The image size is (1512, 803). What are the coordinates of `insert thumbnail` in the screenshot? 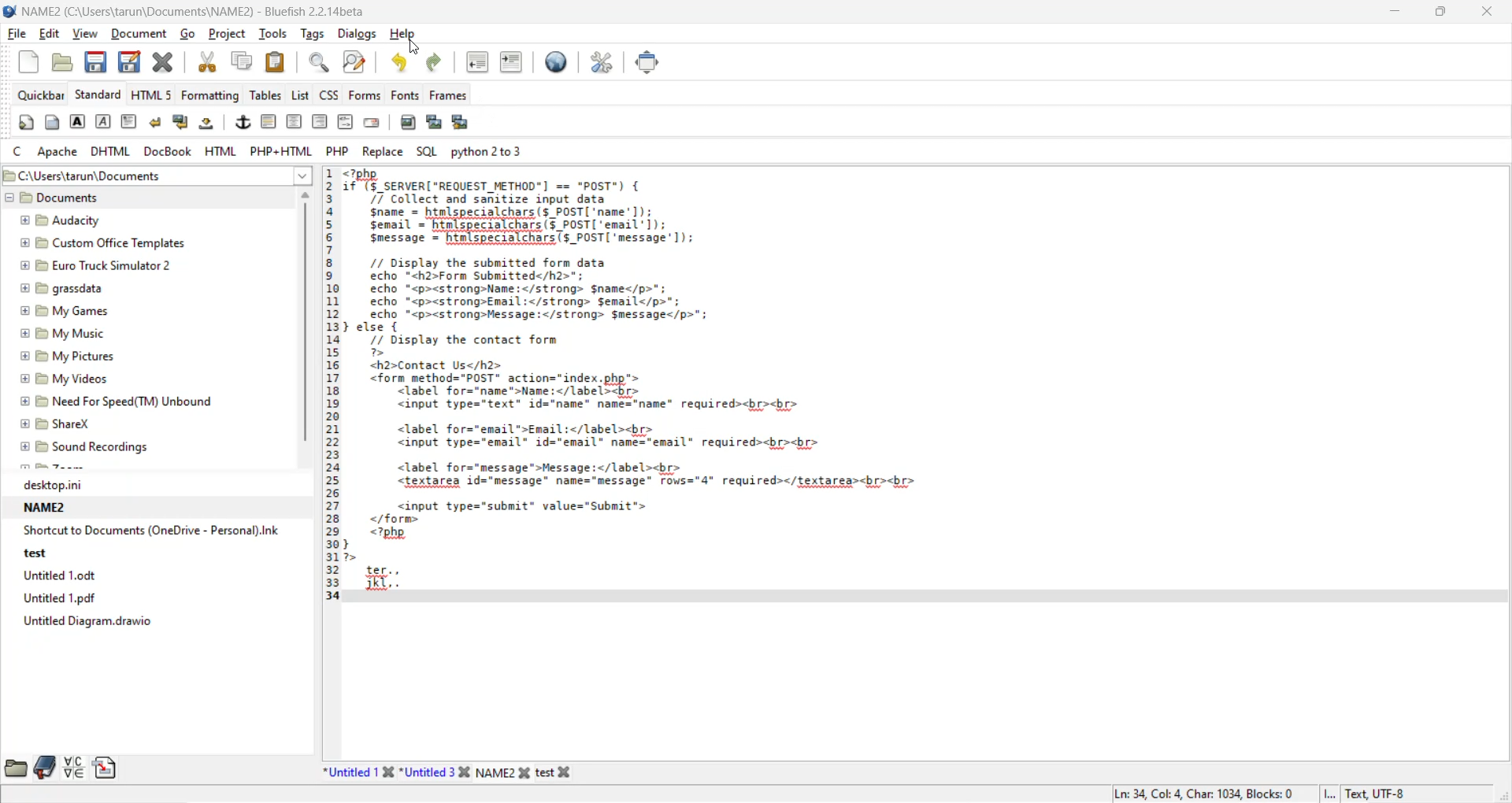 It's located at (432, 123).